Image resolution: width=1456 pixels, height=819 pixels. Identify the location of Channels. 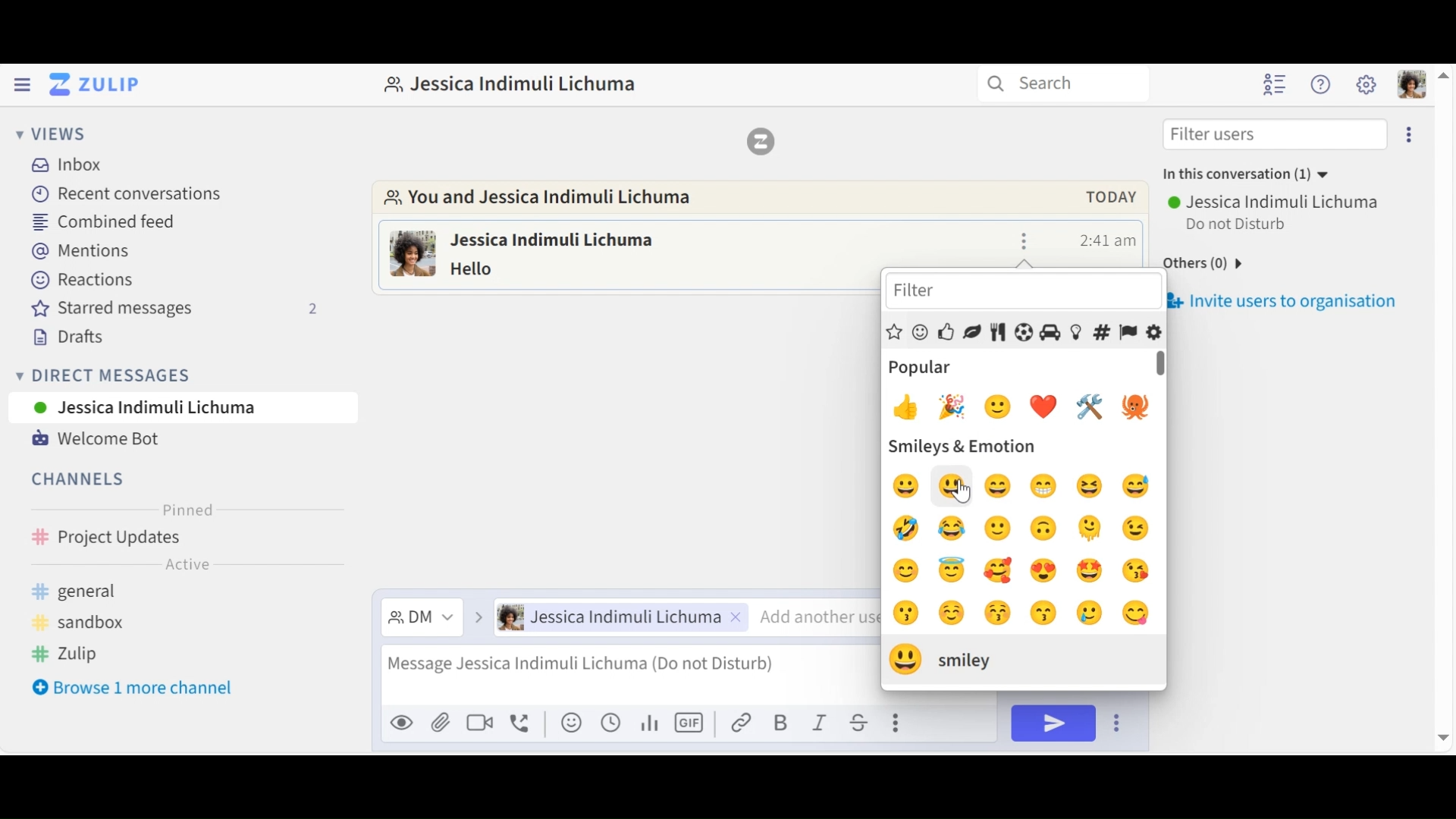
(80, 481).